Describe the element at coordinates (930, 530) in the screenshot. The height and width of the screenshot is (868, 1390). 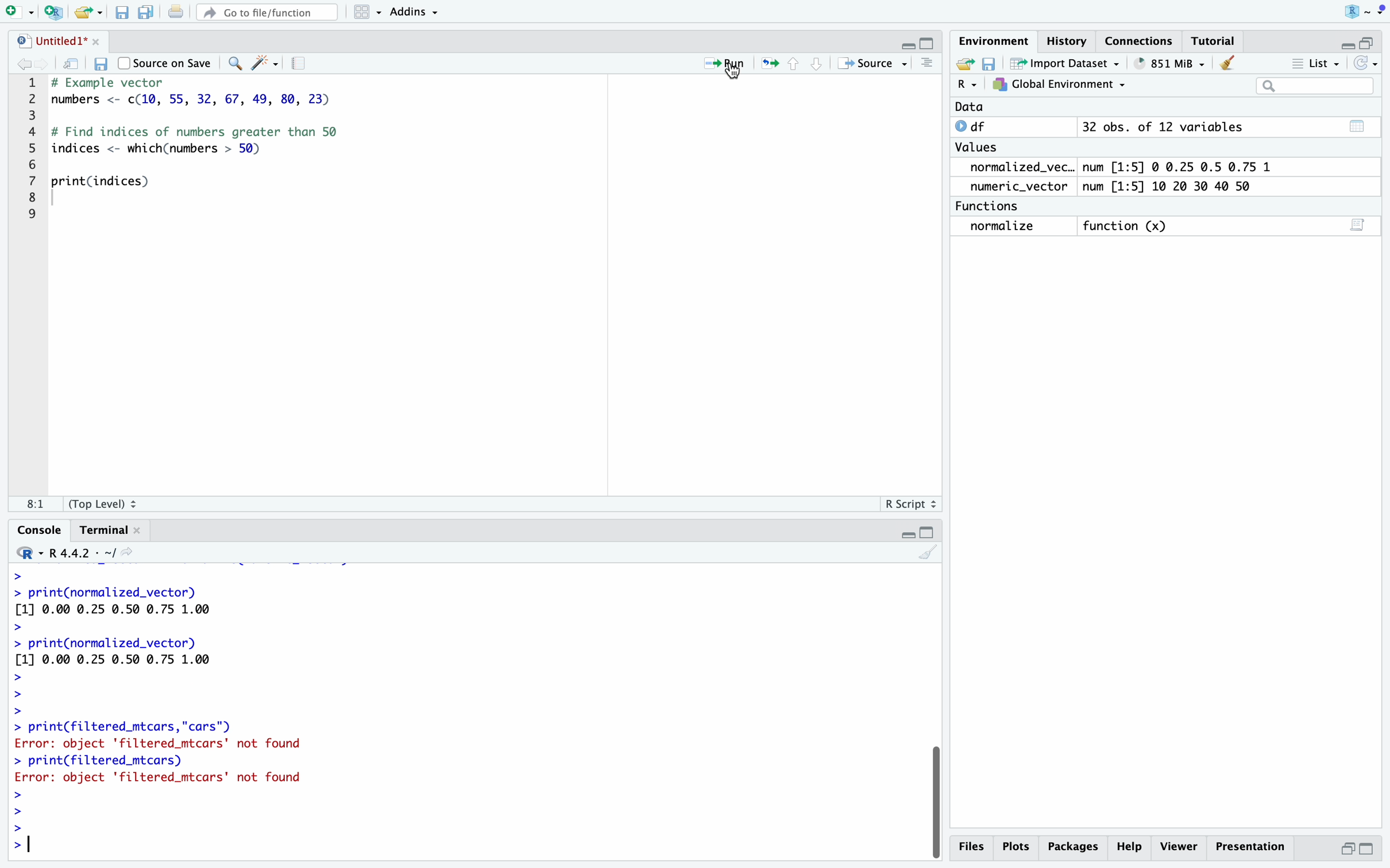
I see `MAXIMISE` at that location.